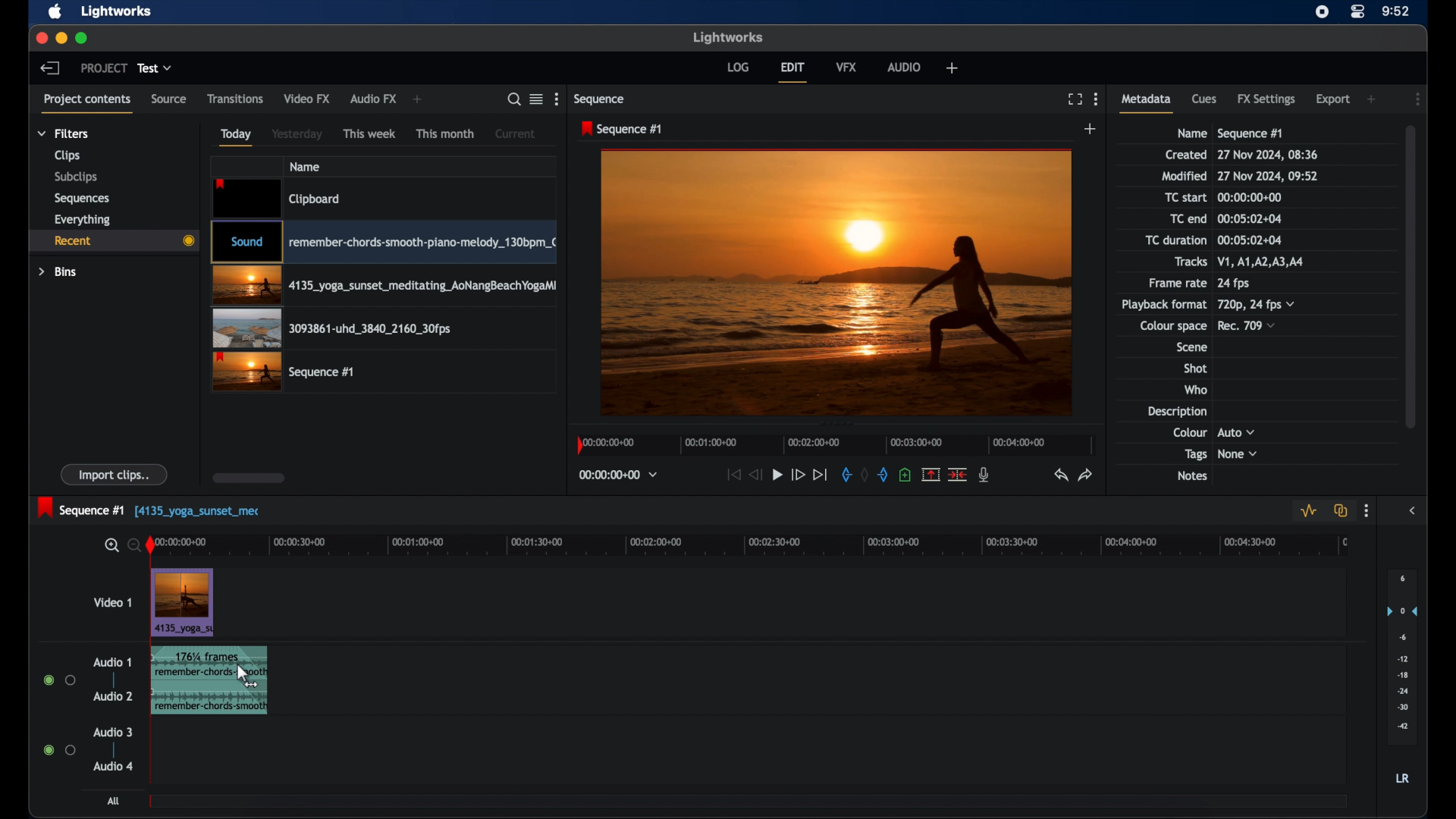  What do you see at coordinates (82, 220) in the screenshot?
I see `everything` at bounding box center [82, 220].